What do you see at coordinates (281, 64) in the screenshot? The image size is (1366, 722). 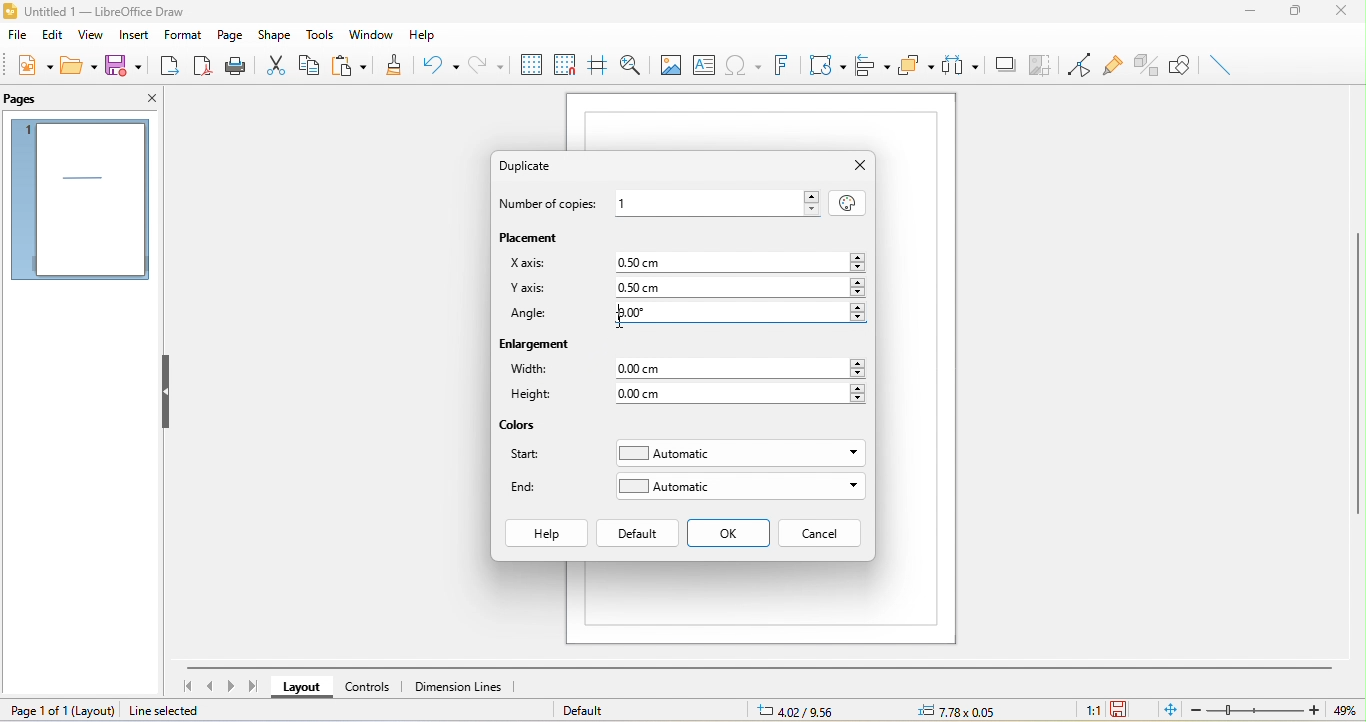 I see `cut` at bounding box center [281, 64].